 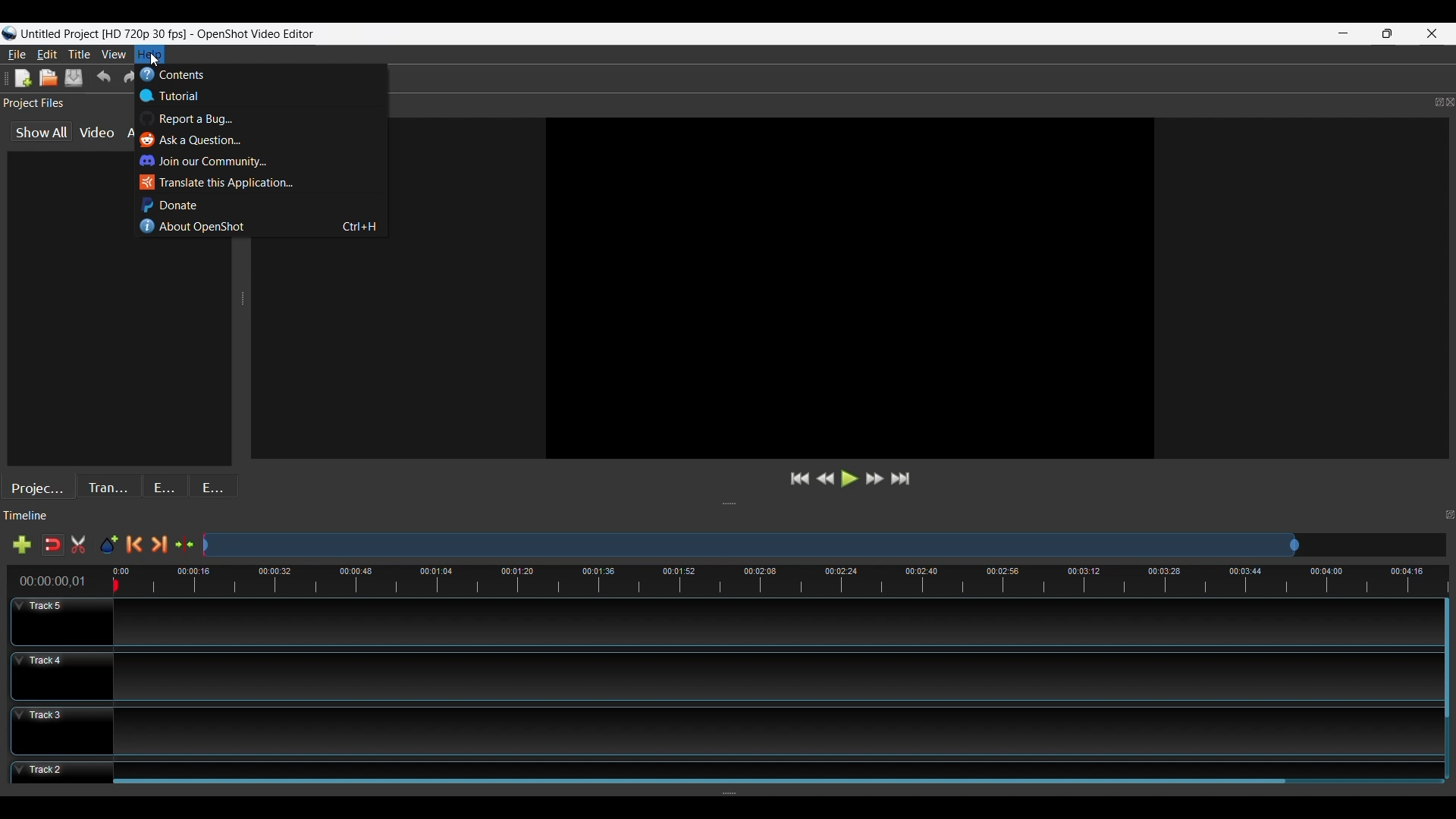 I want to click on Emojis, so click(x=215, y=485).